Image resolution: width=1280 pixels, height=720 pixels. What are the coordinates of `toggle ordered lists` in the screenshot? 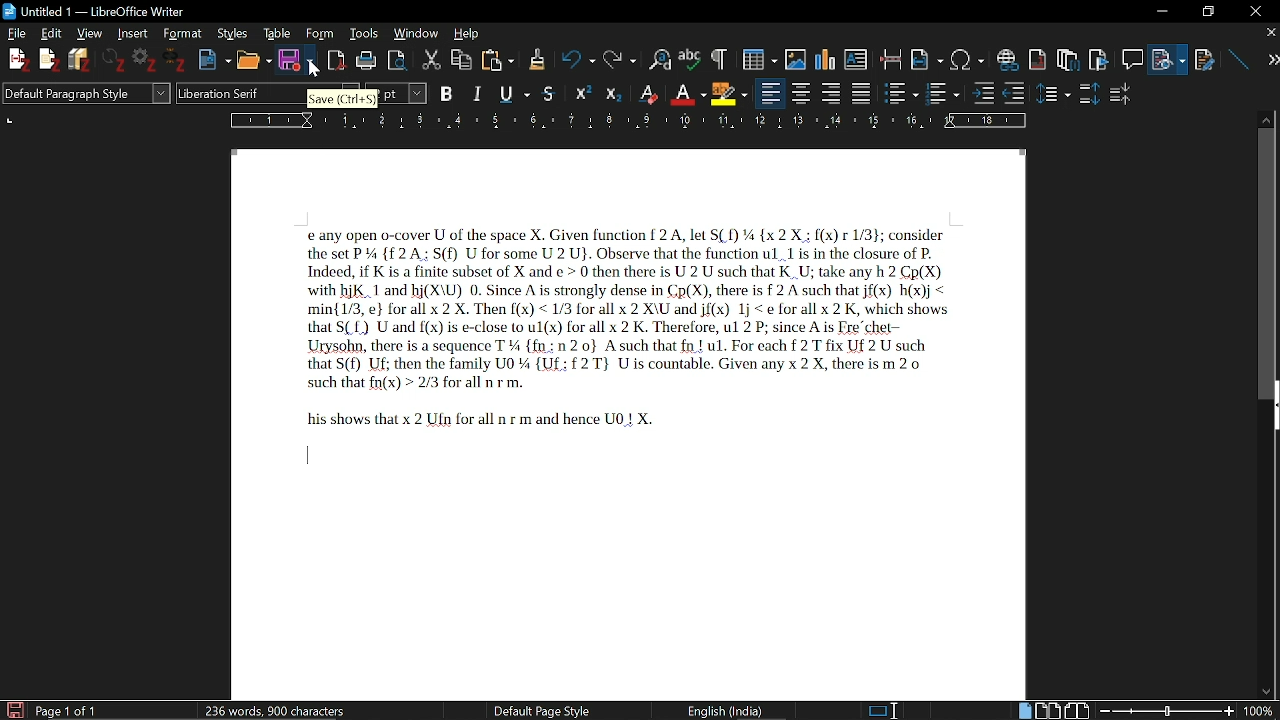 It's located at (944, 92).